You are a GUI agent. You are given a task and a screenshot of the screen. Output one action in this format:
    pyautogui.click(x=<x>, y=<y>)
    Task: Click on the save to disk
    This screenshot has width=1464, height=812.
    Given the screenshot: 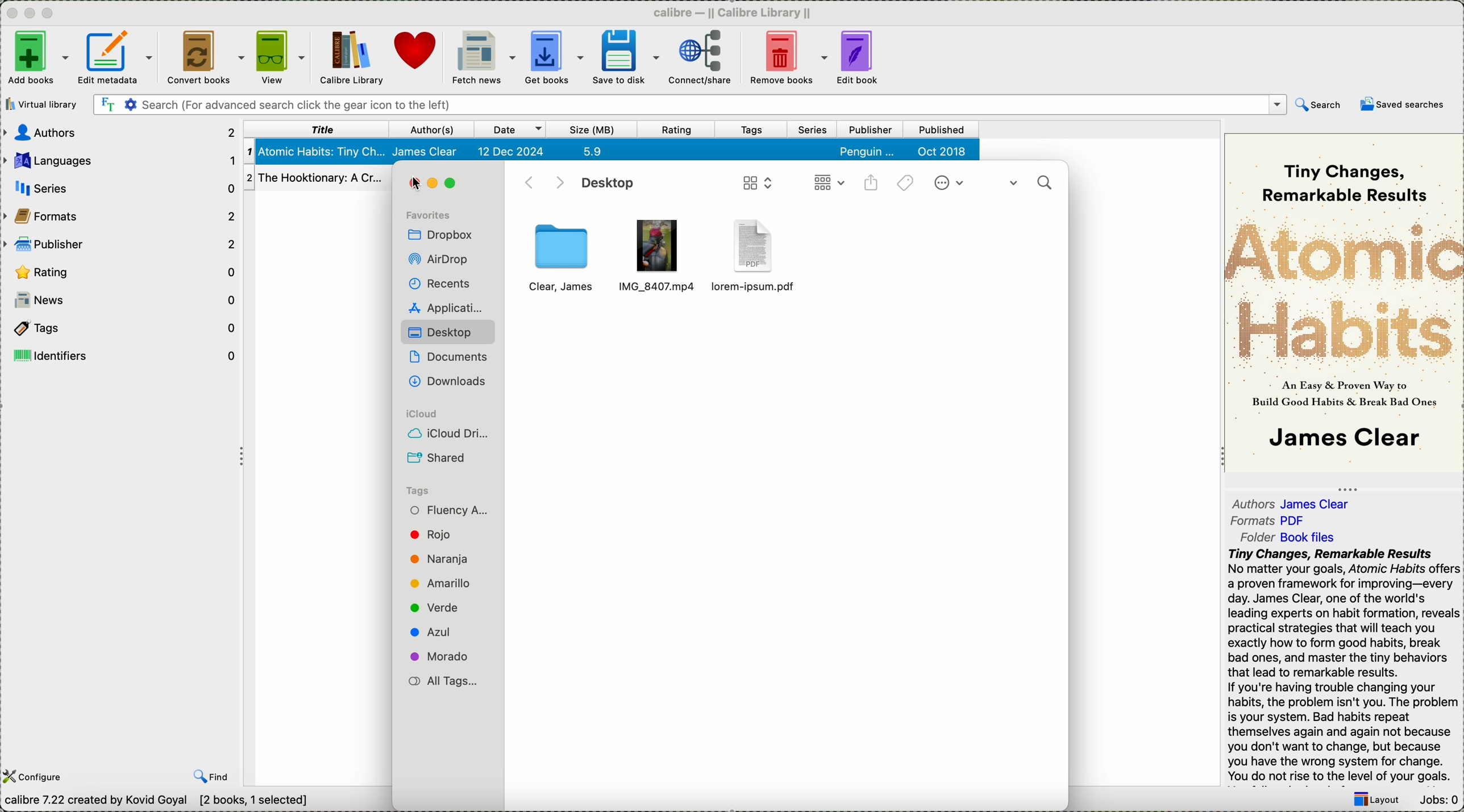 What is the action you would take?
    pyautogui.click(x=623, y=57)
    